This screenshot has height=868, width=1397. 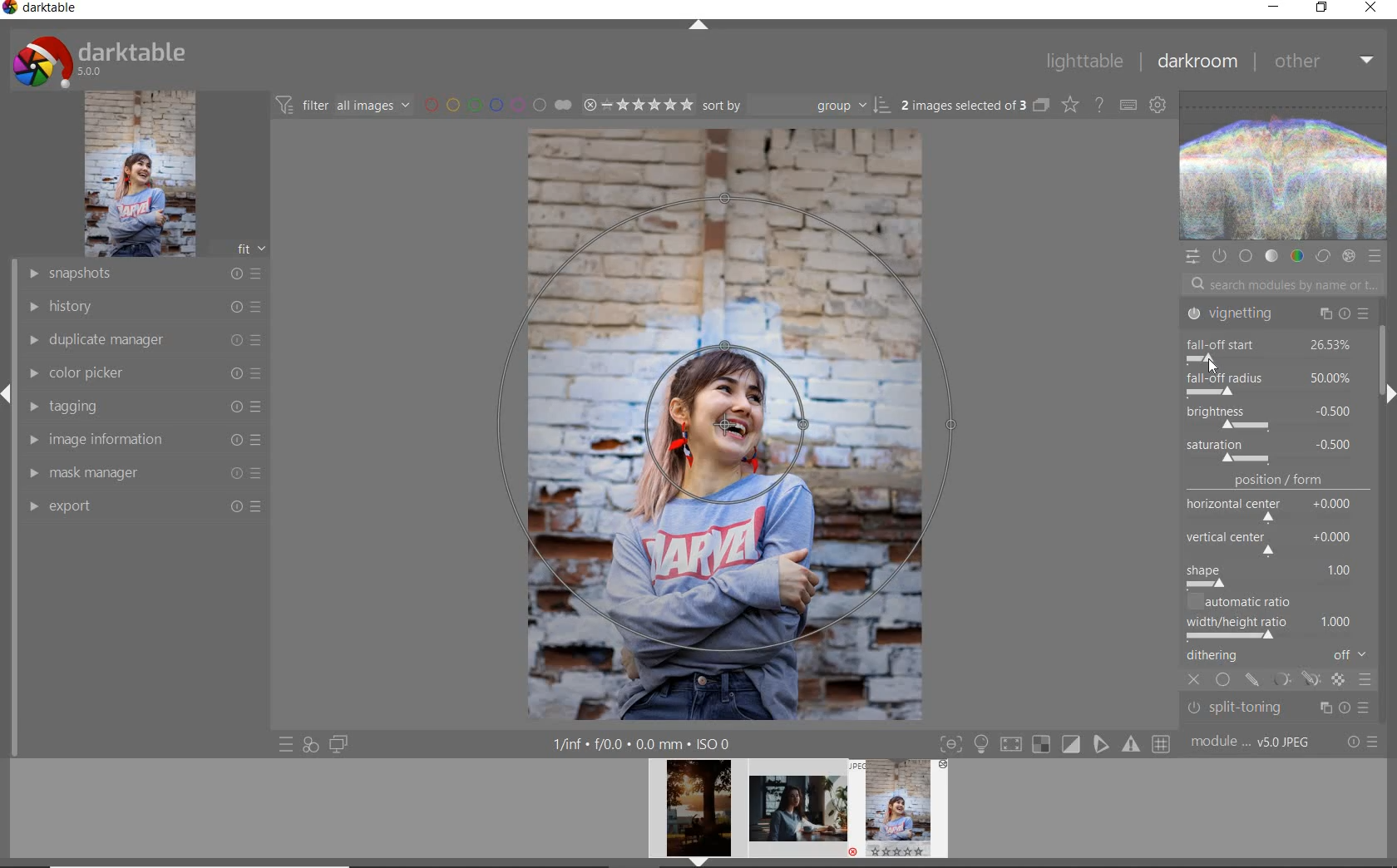 What do you see at coordinates (1365, 682) in the screenshot?
I see `blending options` at bounding box center [1365, 682].